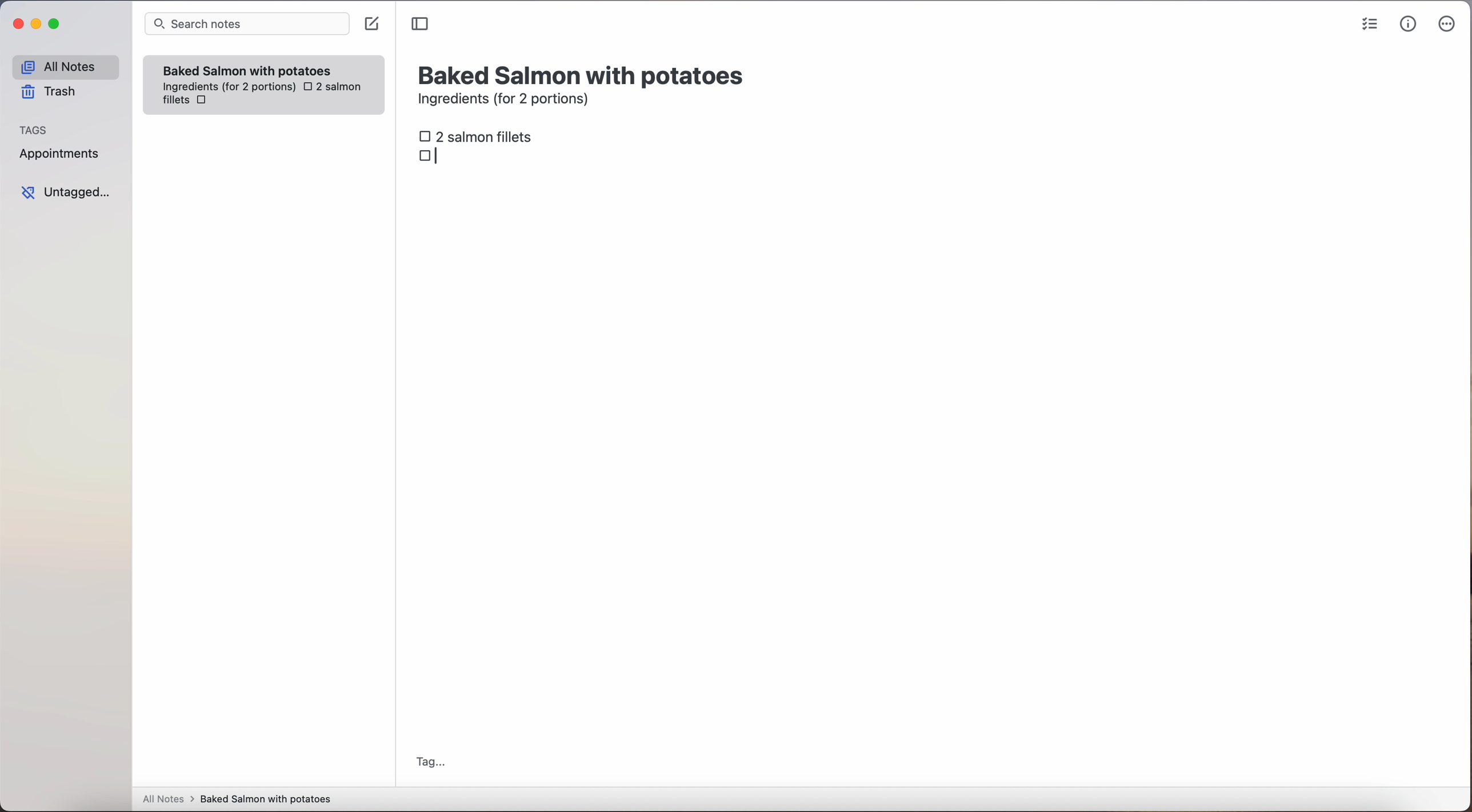  Describe the element at coordinates (205, 101) in the screenshot. I see `checkbox` at that location.